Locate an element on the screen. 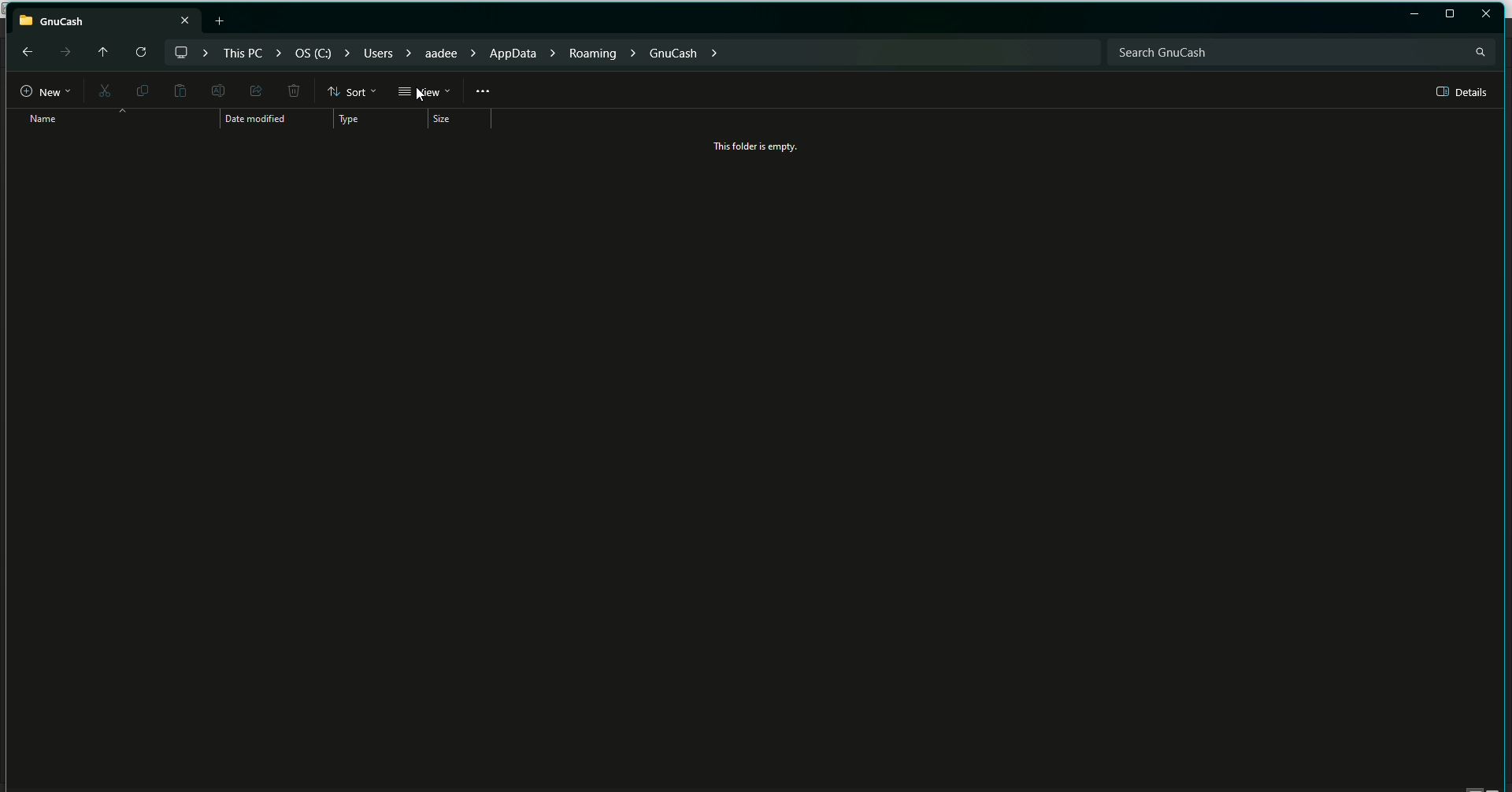 The height and width of the screenshot is (792, 1512). Cut is located at coordinates (102, 92).